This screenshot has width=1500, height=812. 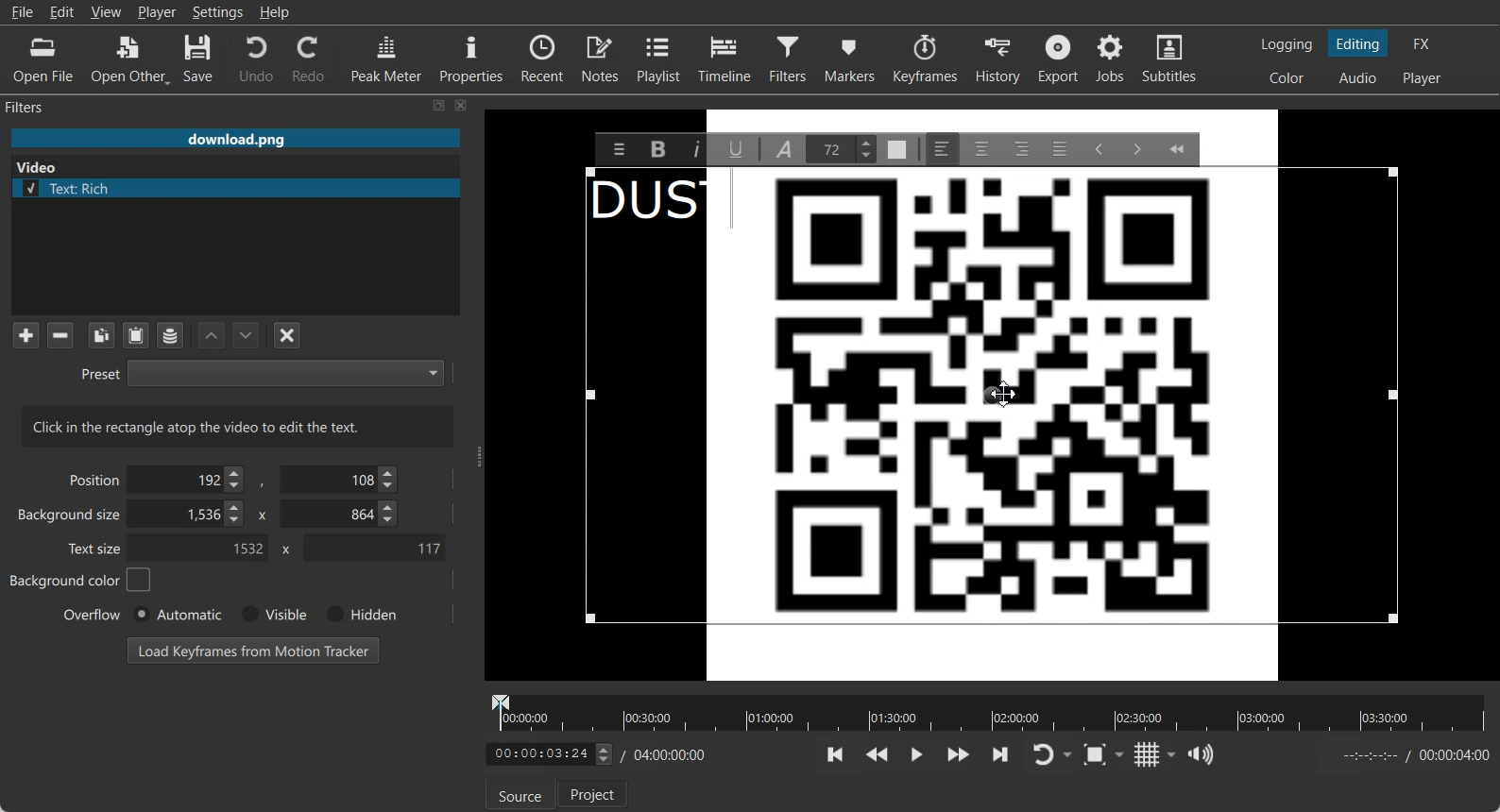 I want to click on Toggle play, so click(x=917, y=754).